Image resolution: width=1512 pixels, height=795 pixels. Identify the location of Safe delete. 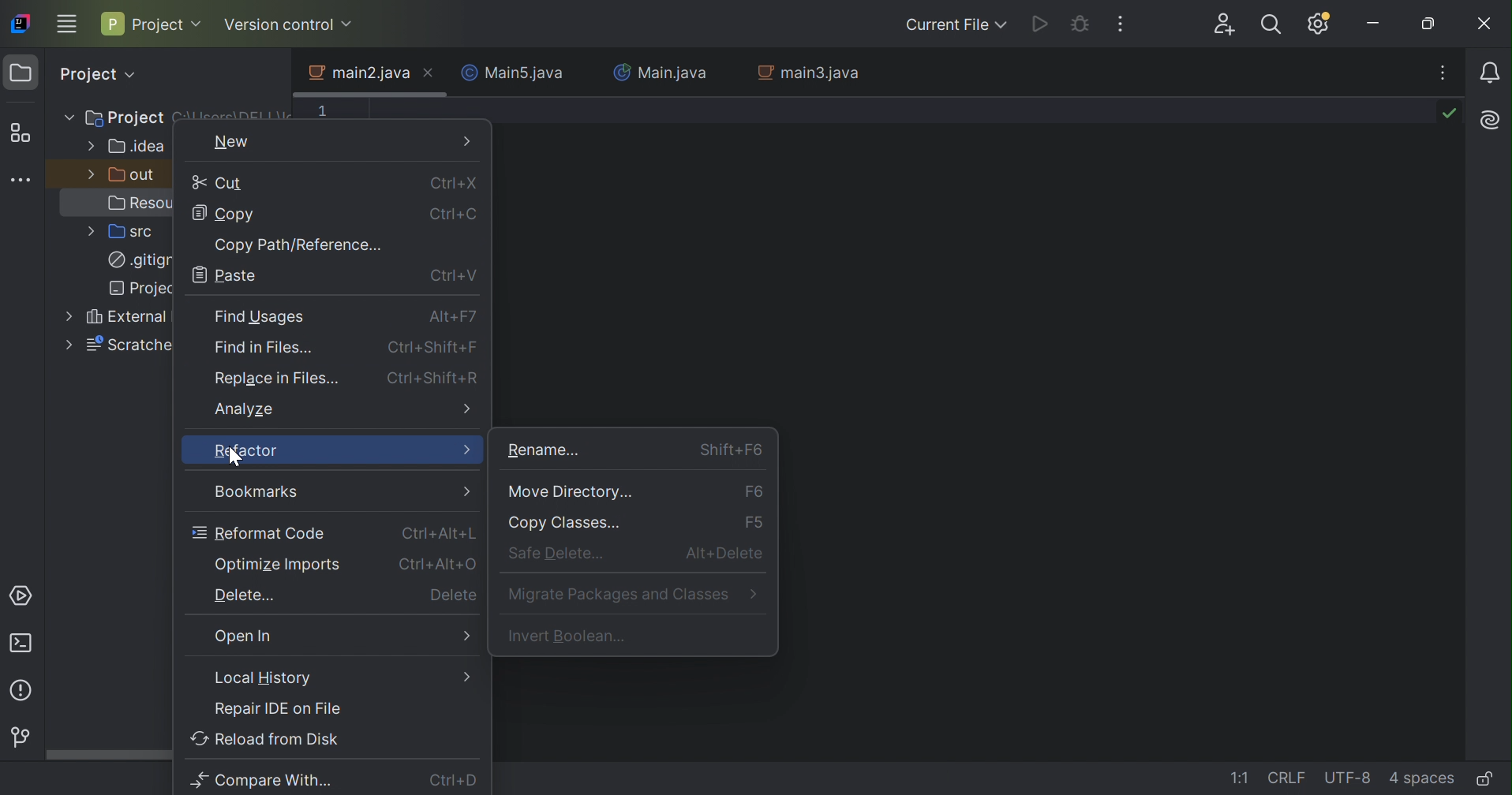
(556, 554).